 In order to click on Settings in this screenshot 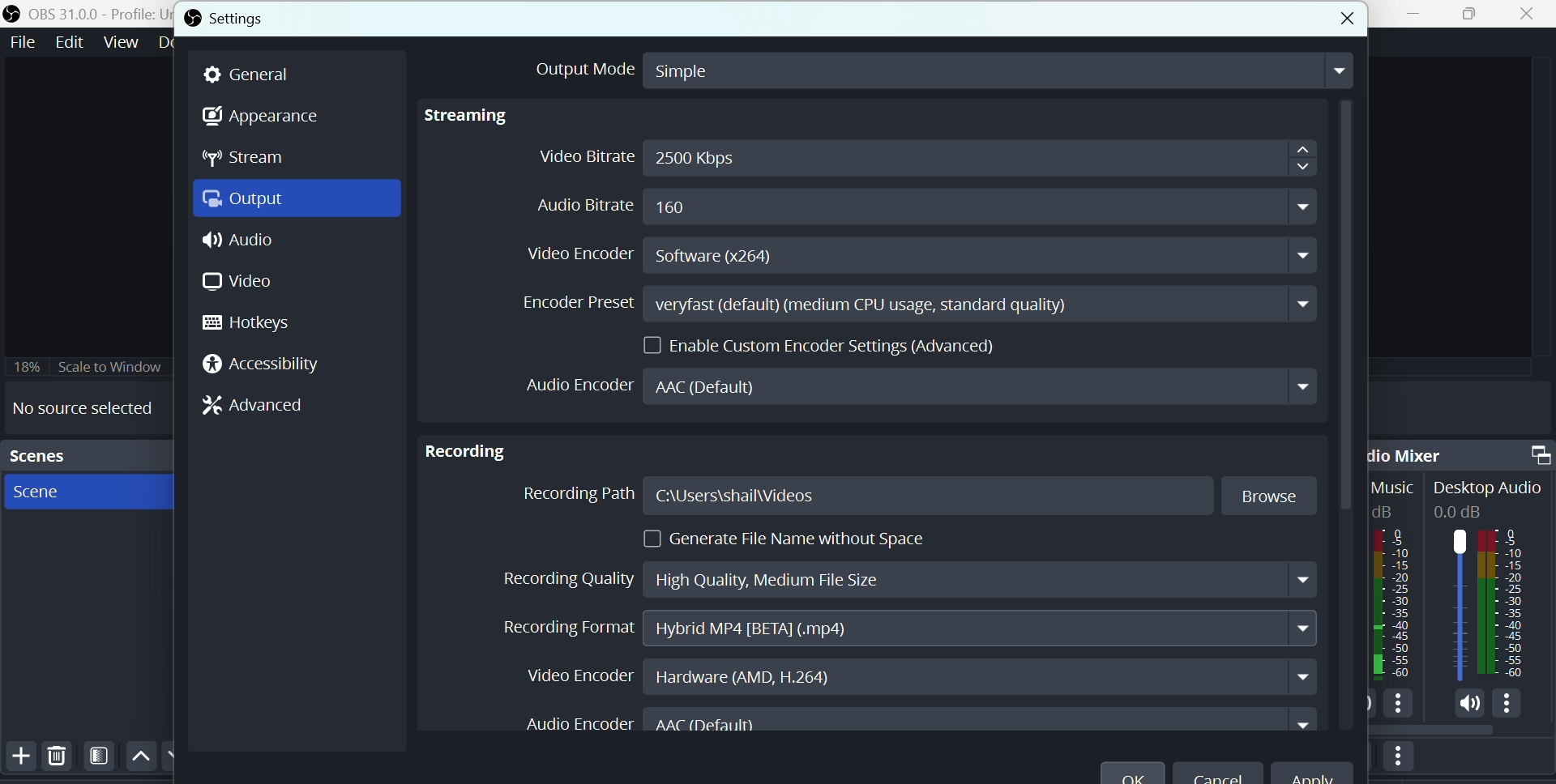, I will do `click(229, 16)`.